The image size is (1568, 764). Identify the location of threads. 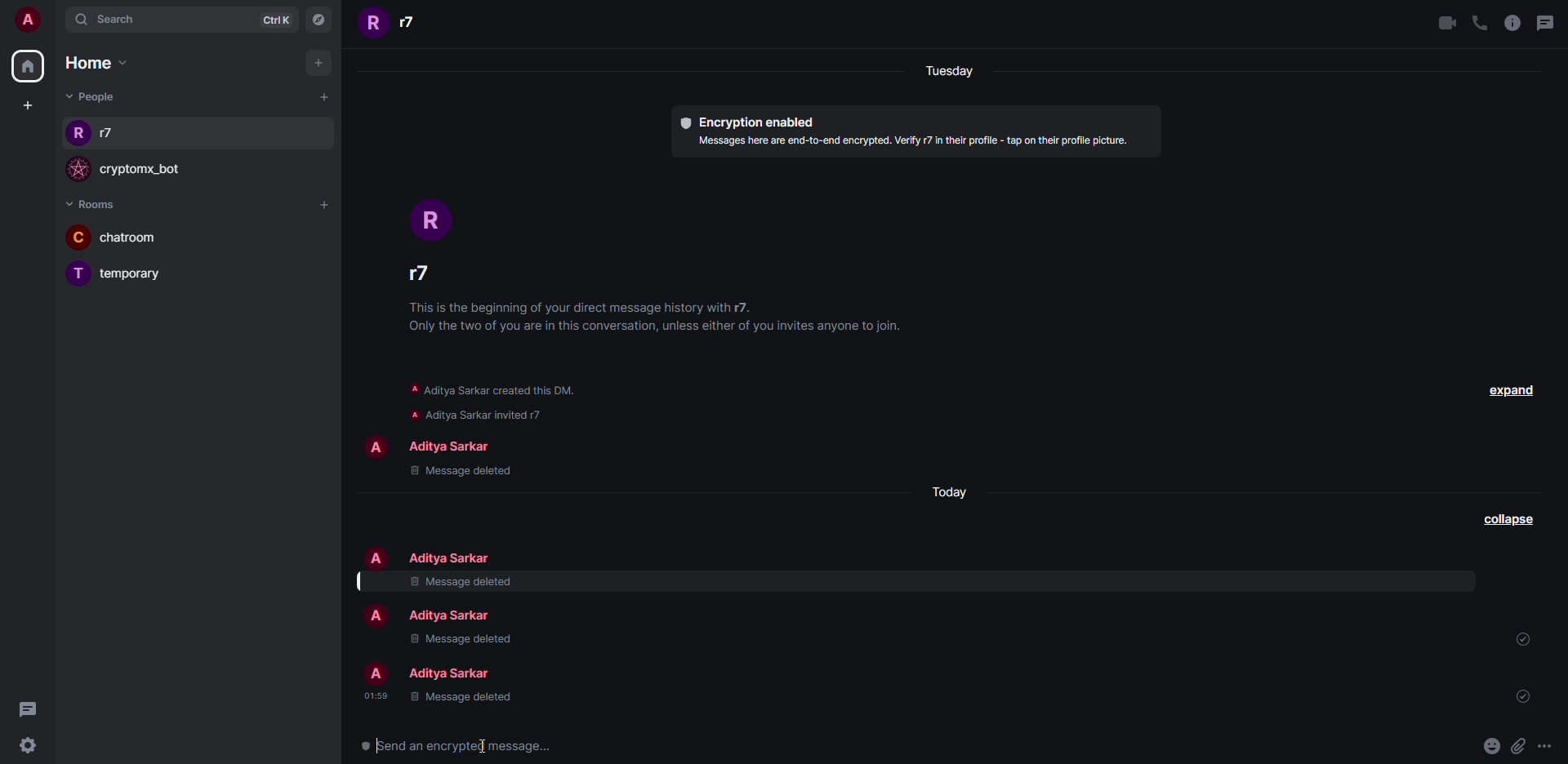
(1547, 20).